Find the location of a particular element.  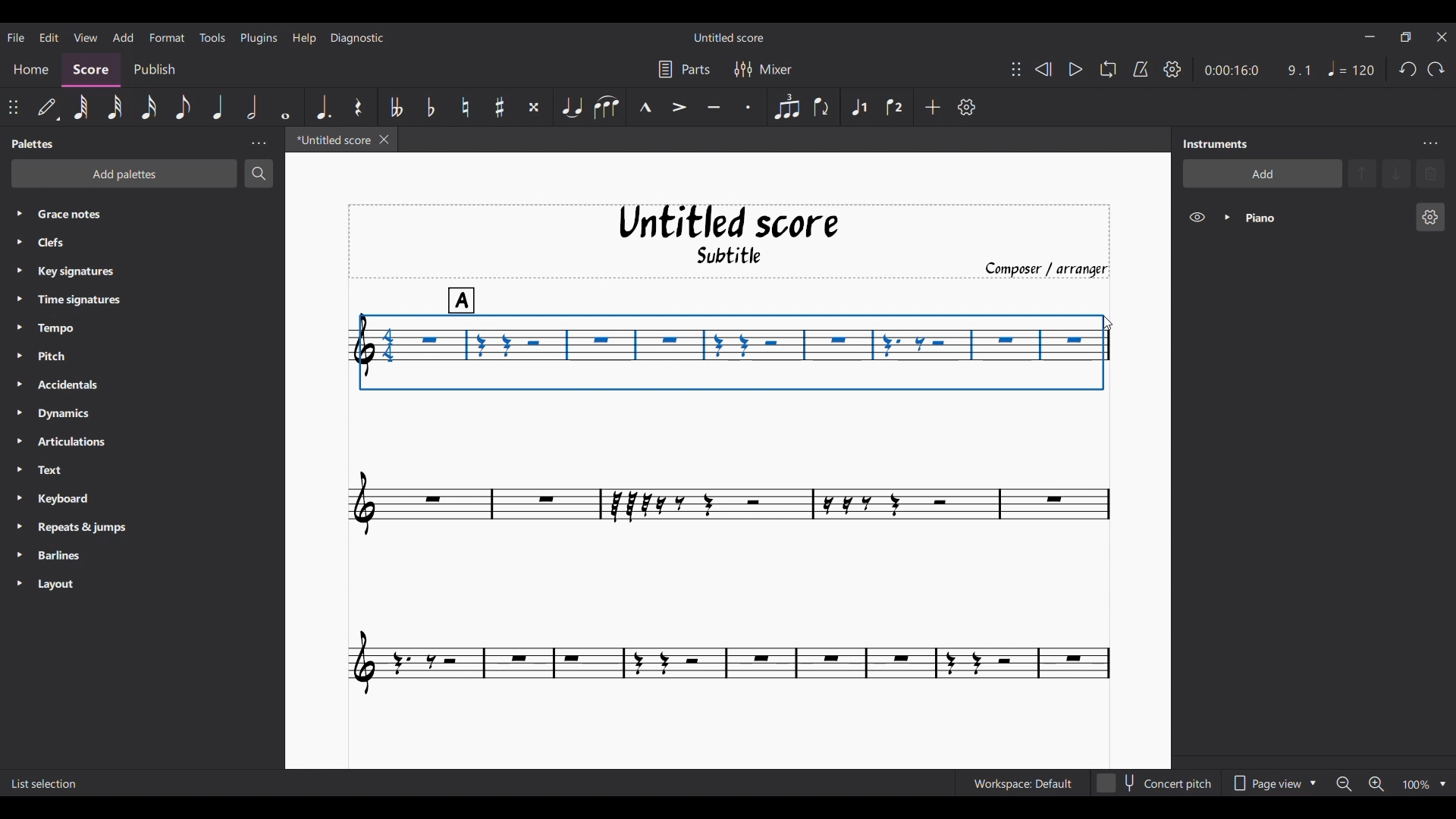

Pitch is located at coordinates (86, 355).